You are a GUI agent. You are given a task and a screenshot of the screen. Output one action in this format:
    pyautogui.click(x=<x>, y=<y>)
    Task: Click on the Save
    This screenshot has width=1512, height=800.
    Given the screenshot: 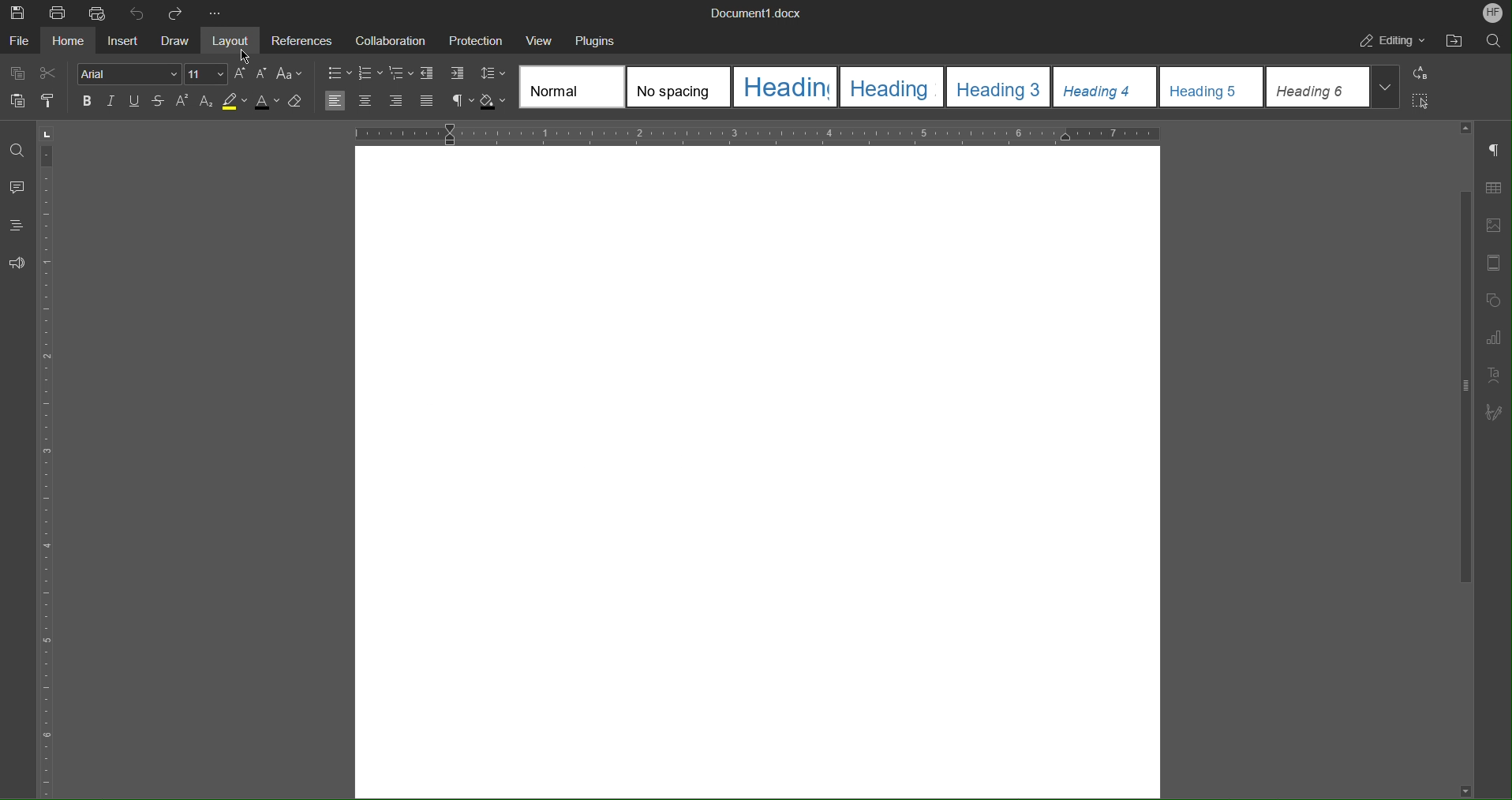 What is the action you would take?
    pyautogui.click(x=19, y=13)
    